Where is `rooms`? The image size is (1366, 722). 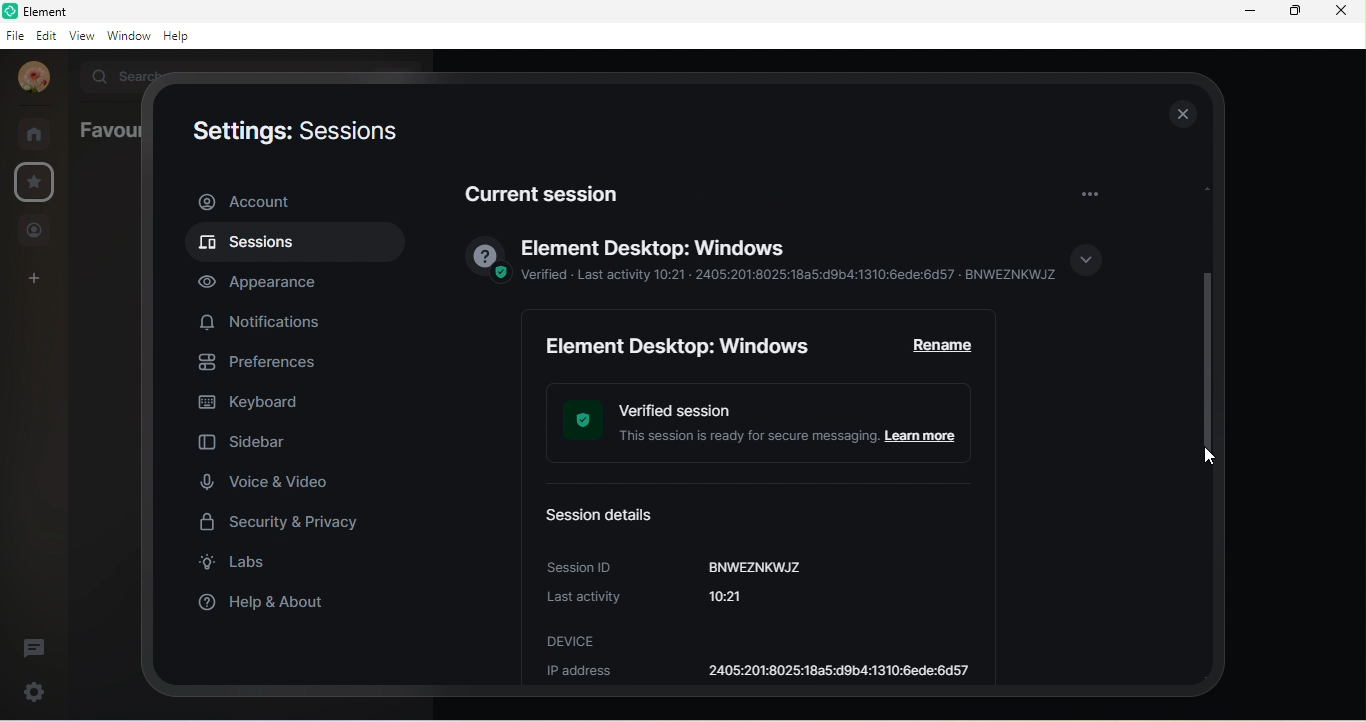 rooms is located at coordinates (39, 133).